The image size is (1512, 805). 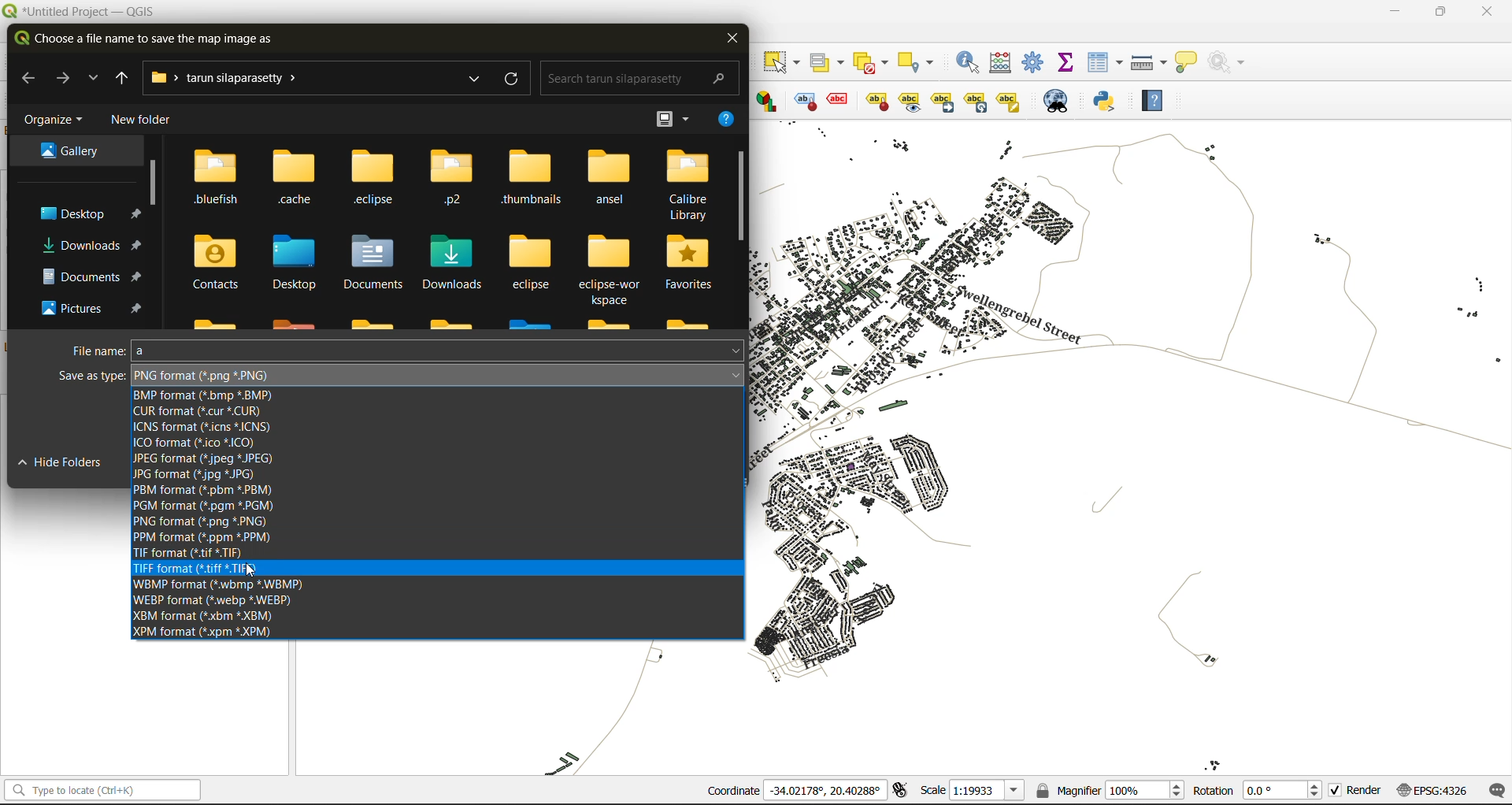 What do you see at coordinates (634, 76) in the screenshot?
I see `search` at bounding box center [634, 76].